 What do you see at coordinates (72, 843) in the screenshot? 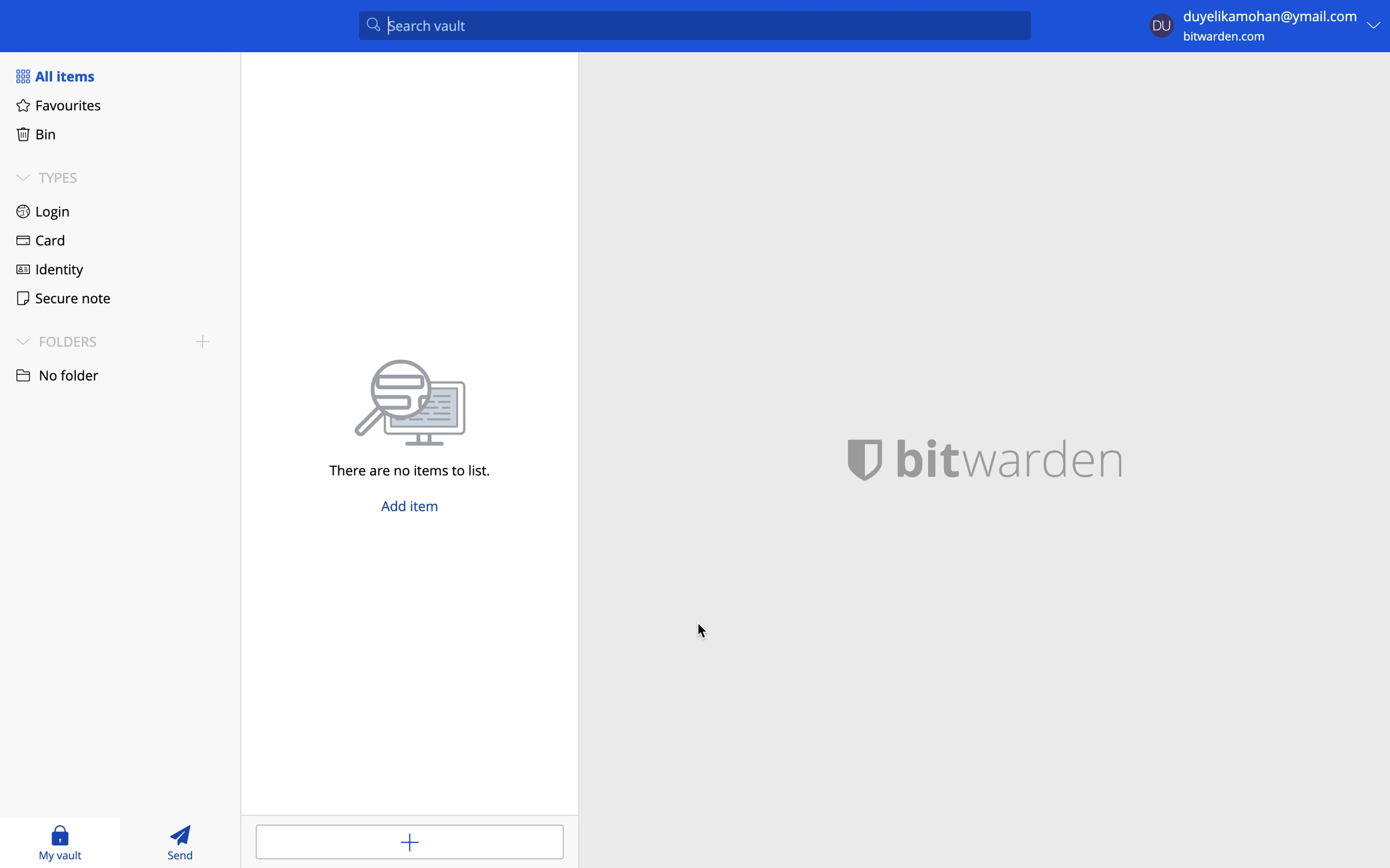
I see `myvault` at bounding box center [72, 843].